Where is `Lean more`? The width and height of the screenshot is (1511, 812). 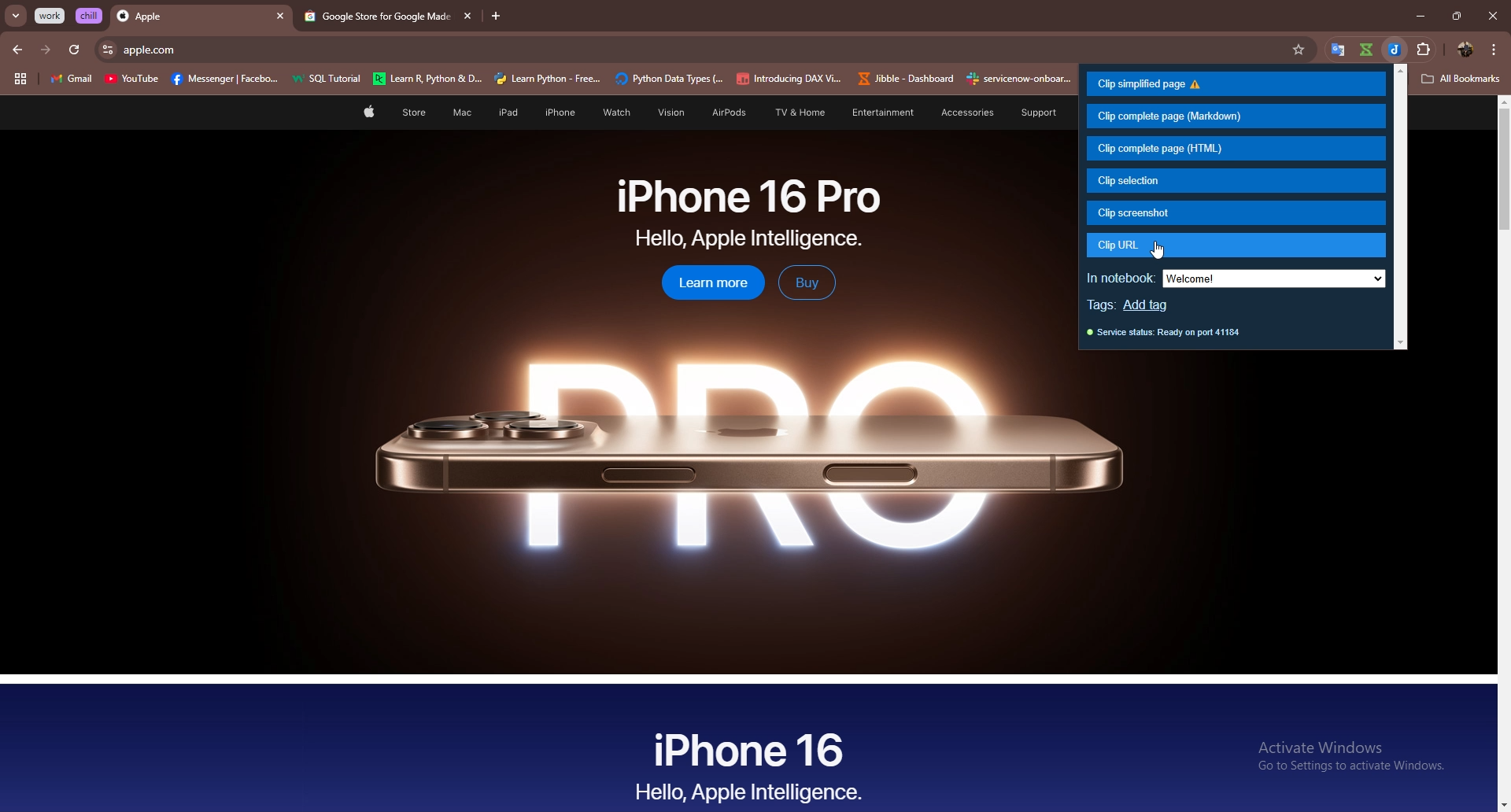 Lean more is located at coordinates (704, 284).